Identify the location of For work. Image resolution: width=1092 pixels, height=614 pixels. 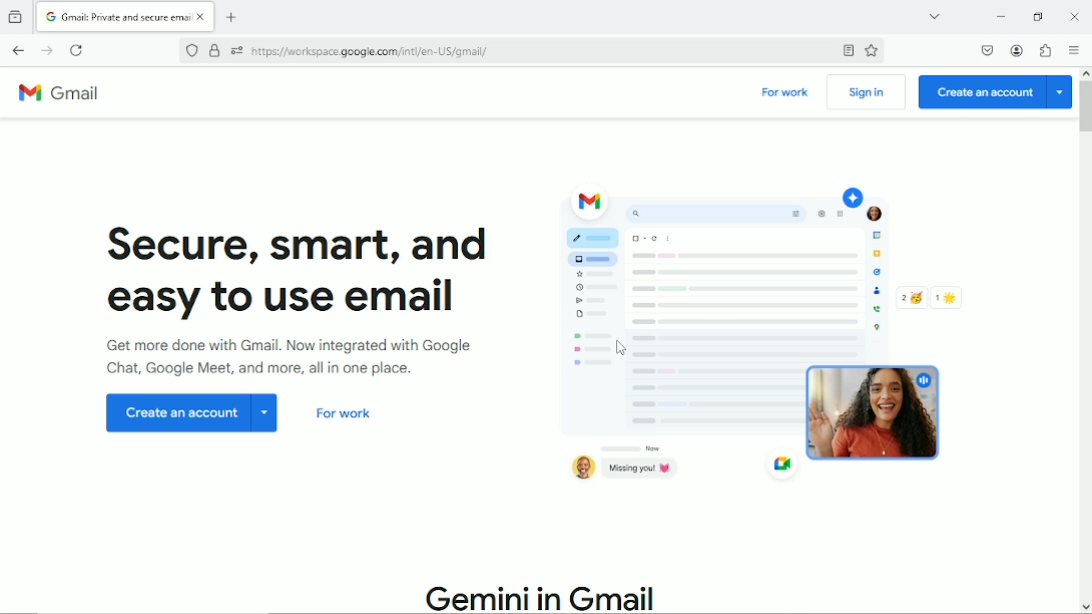
(786, 94).